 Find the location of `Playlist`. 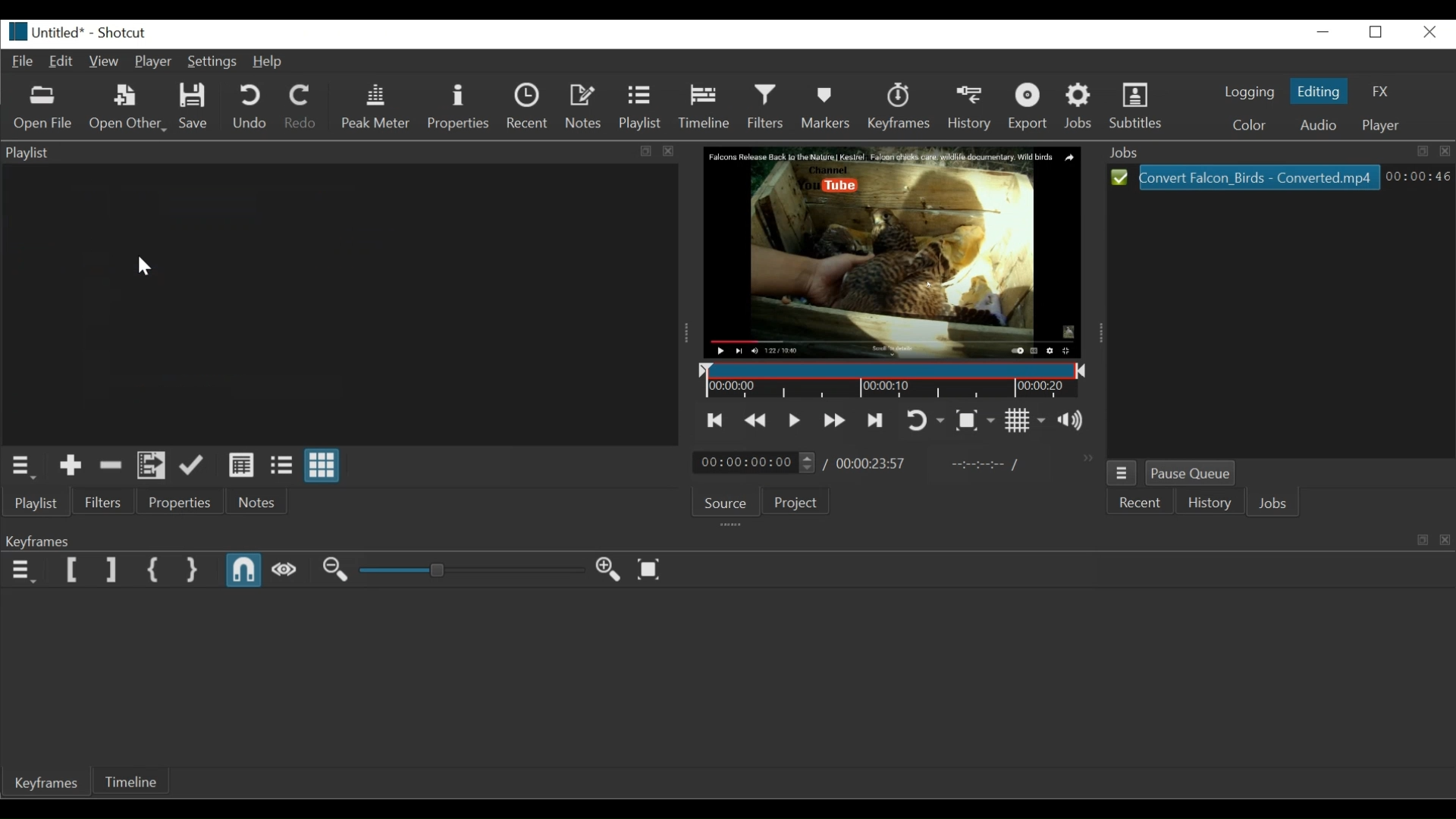

Playlist is located at coordinates (642, 107).